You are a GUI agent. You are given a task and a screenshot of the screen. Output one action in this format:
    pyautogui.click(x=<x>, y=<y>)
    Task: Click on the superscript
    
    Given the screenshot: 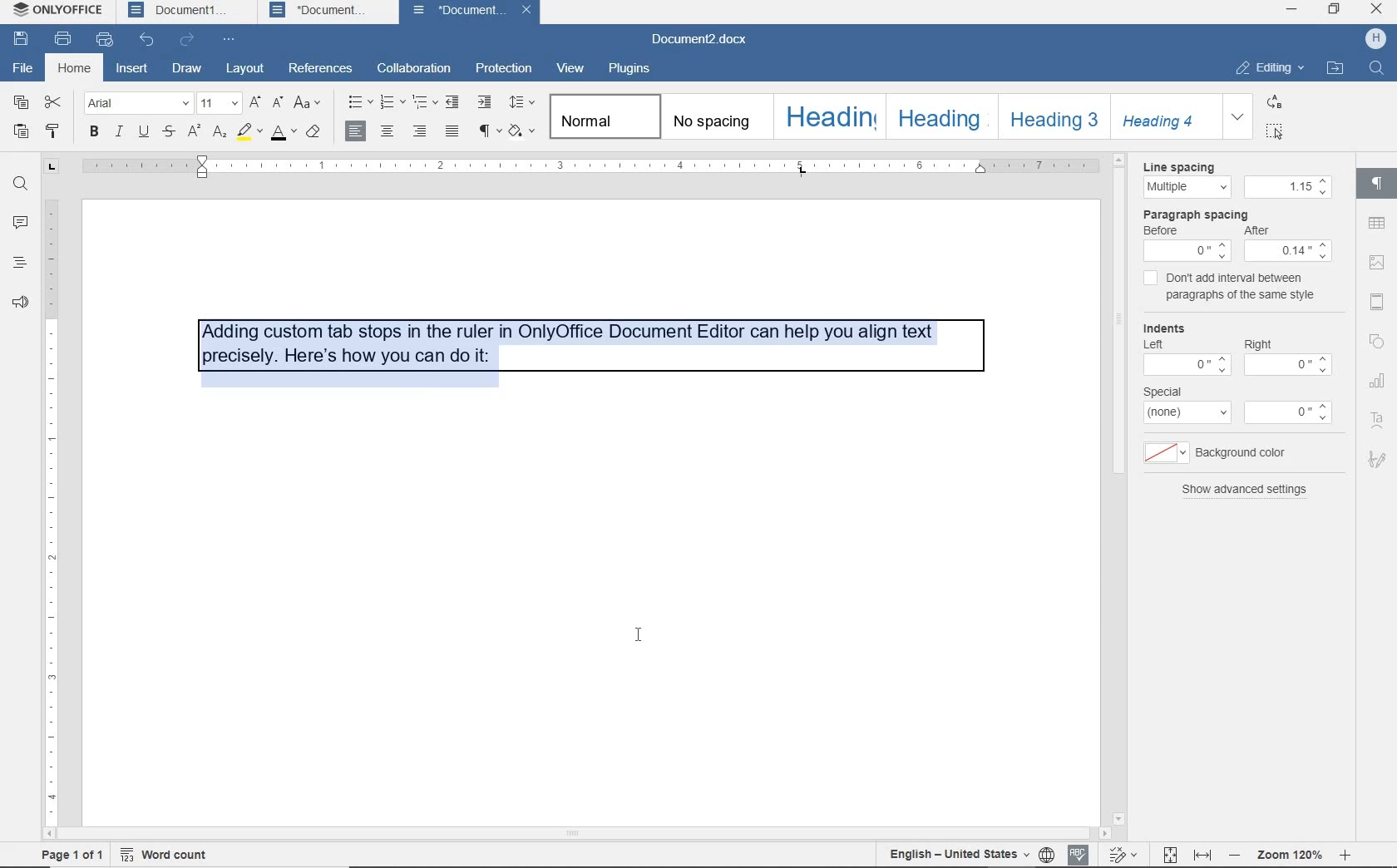 What is the action you would take?
    pyautogui.click(x=196, y=131)
    